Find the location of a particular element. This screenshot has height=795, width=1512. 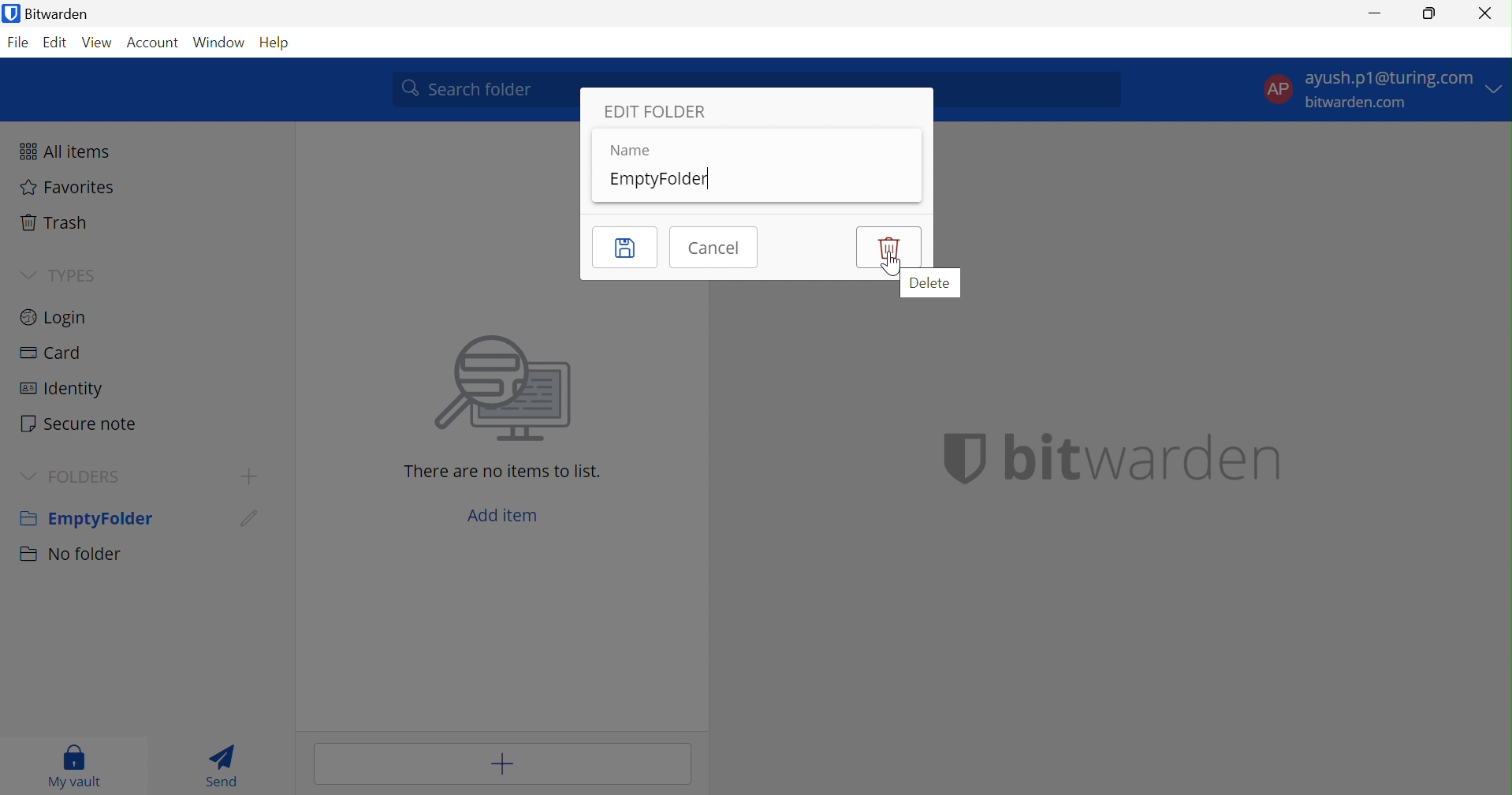

Account options is located at coordinates (1384, 88).